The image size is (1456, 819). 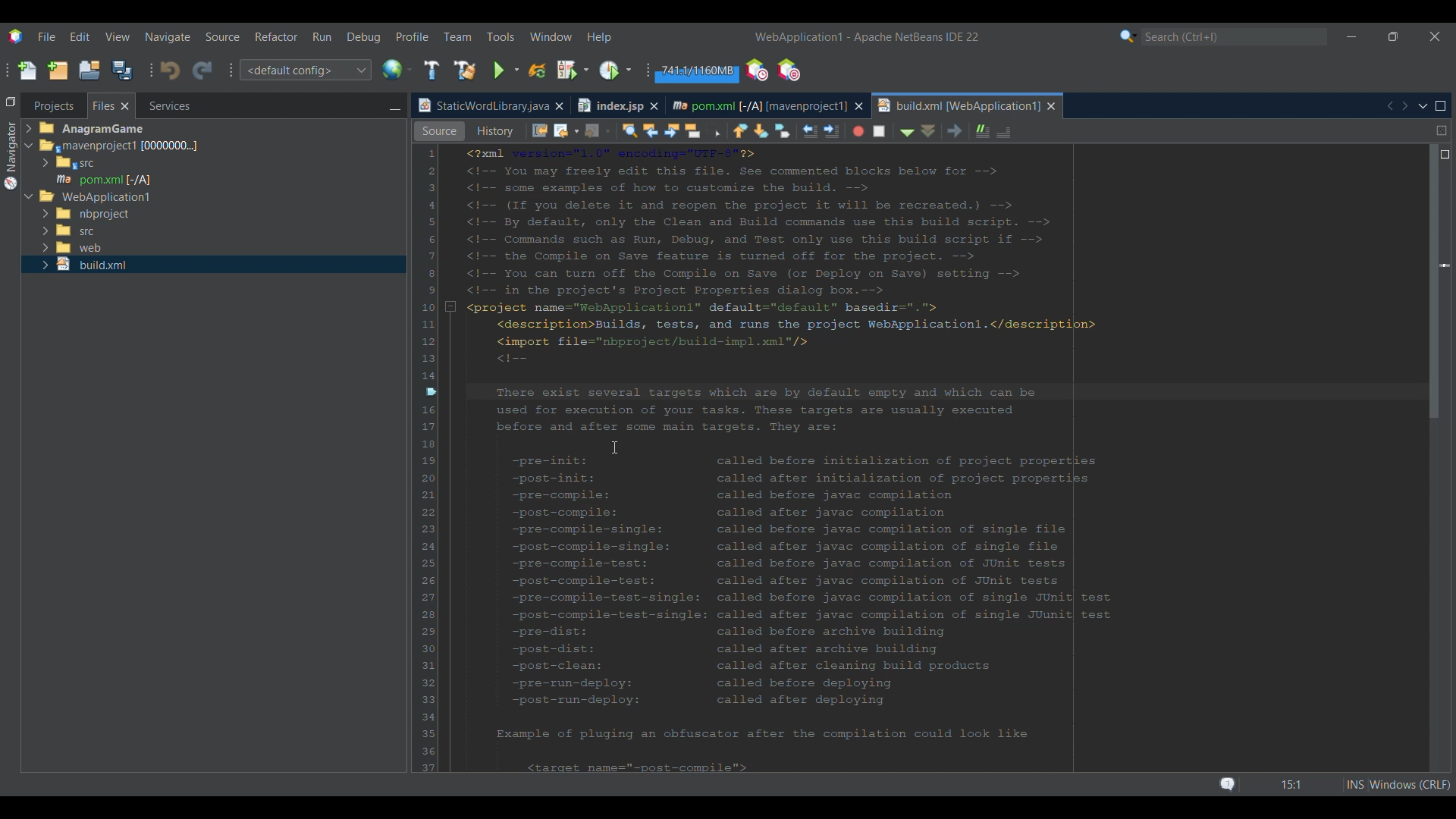 What do you see at coordinates (614, 447) in the screenshot?
I see `Cursor` at bounding box center [614, 447].